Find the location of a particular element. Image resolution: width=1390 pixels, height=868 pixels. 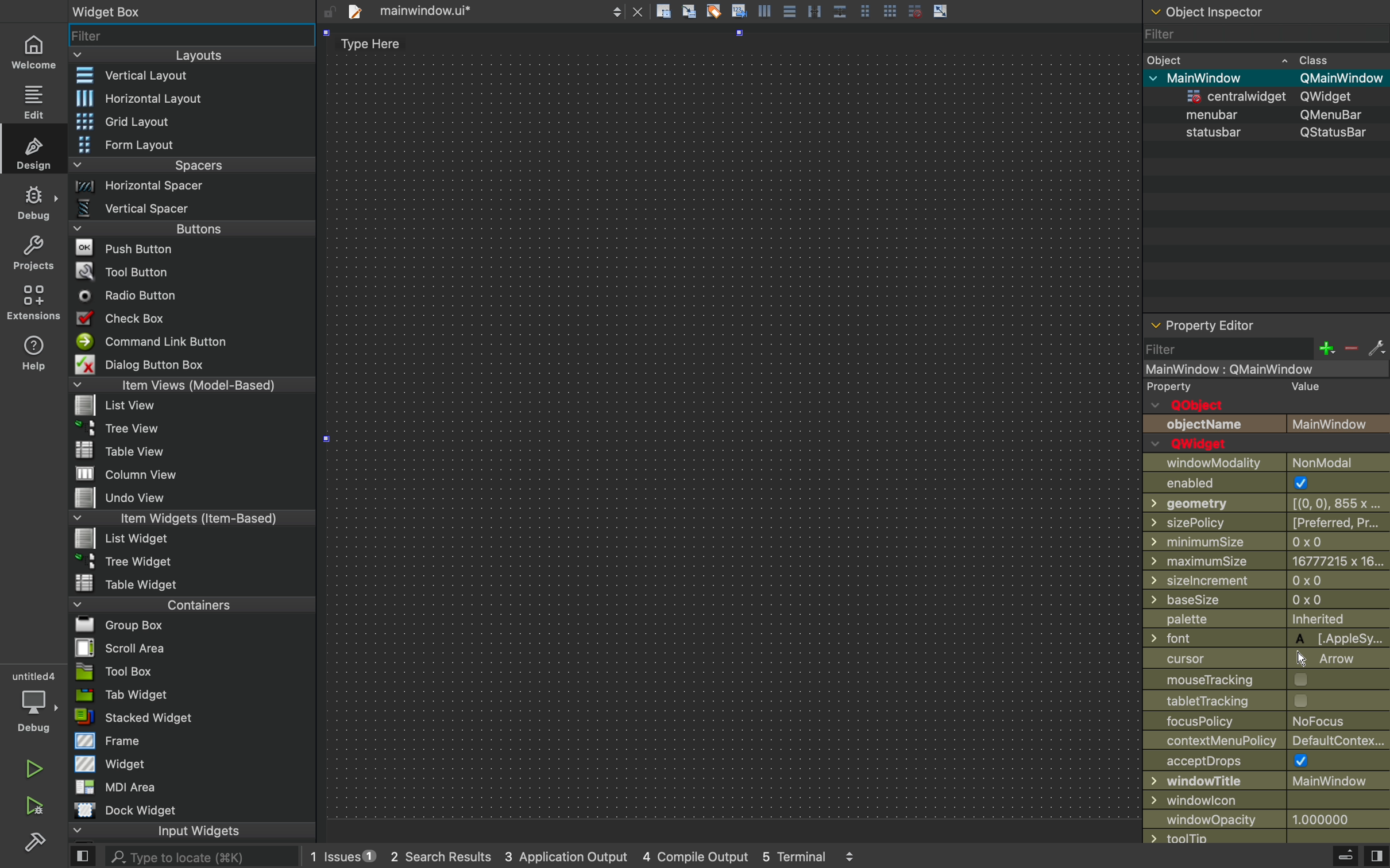

icon is located at coordinates (766, 10).